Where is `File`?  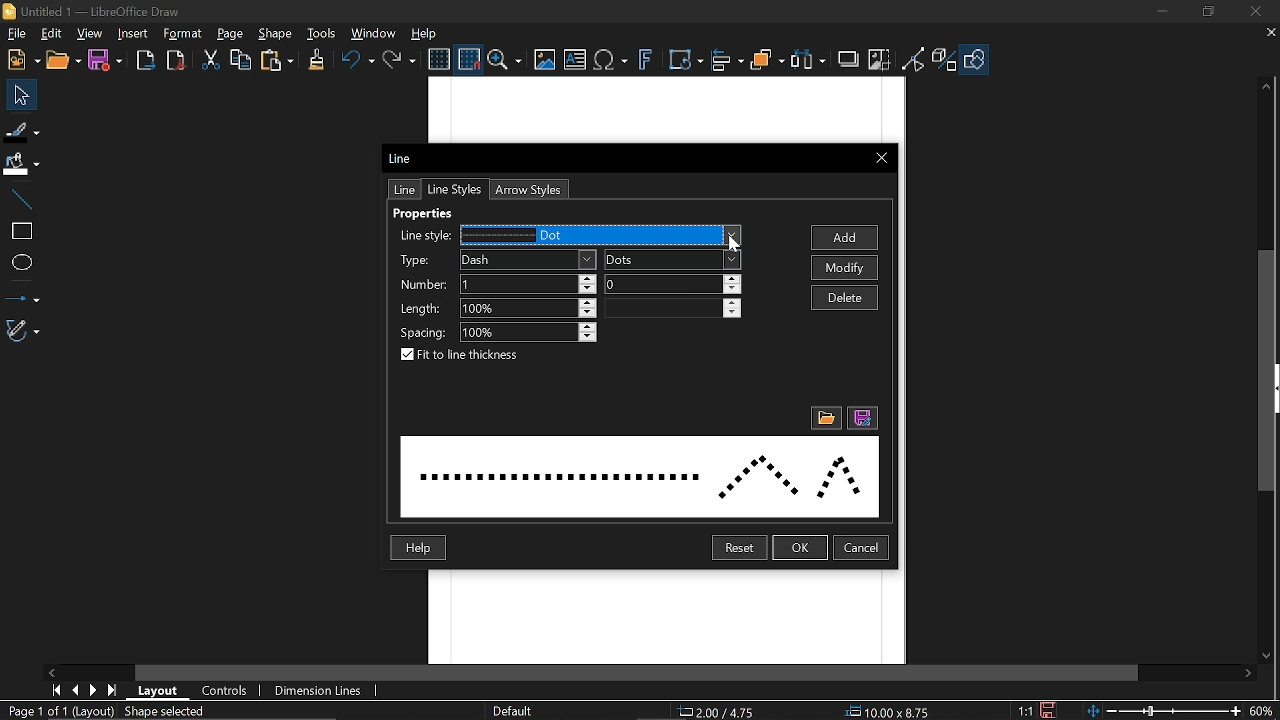 File is located at coordinates (16, 33).